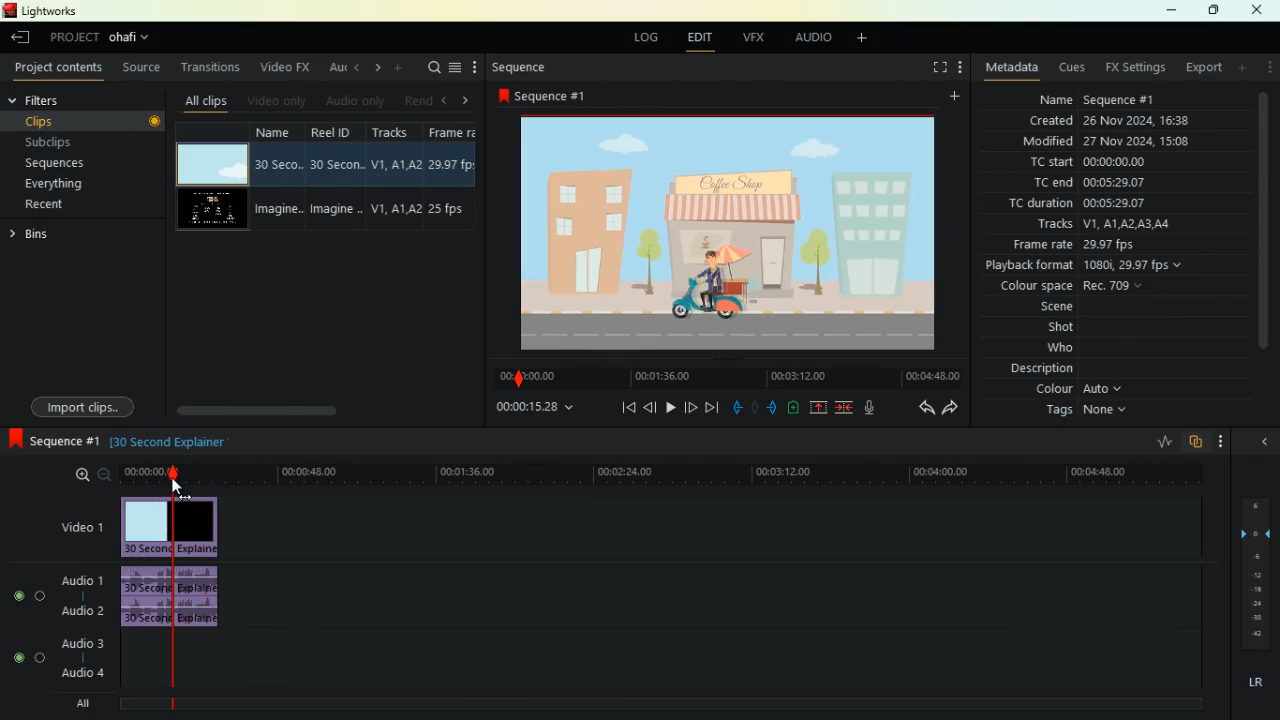 Image resolution: width=1280 pixels, height=720 pixels. What do you see at coordinates (76, 611) in the screenshot?
I see `audio 2` at bounding box center [76, 611].